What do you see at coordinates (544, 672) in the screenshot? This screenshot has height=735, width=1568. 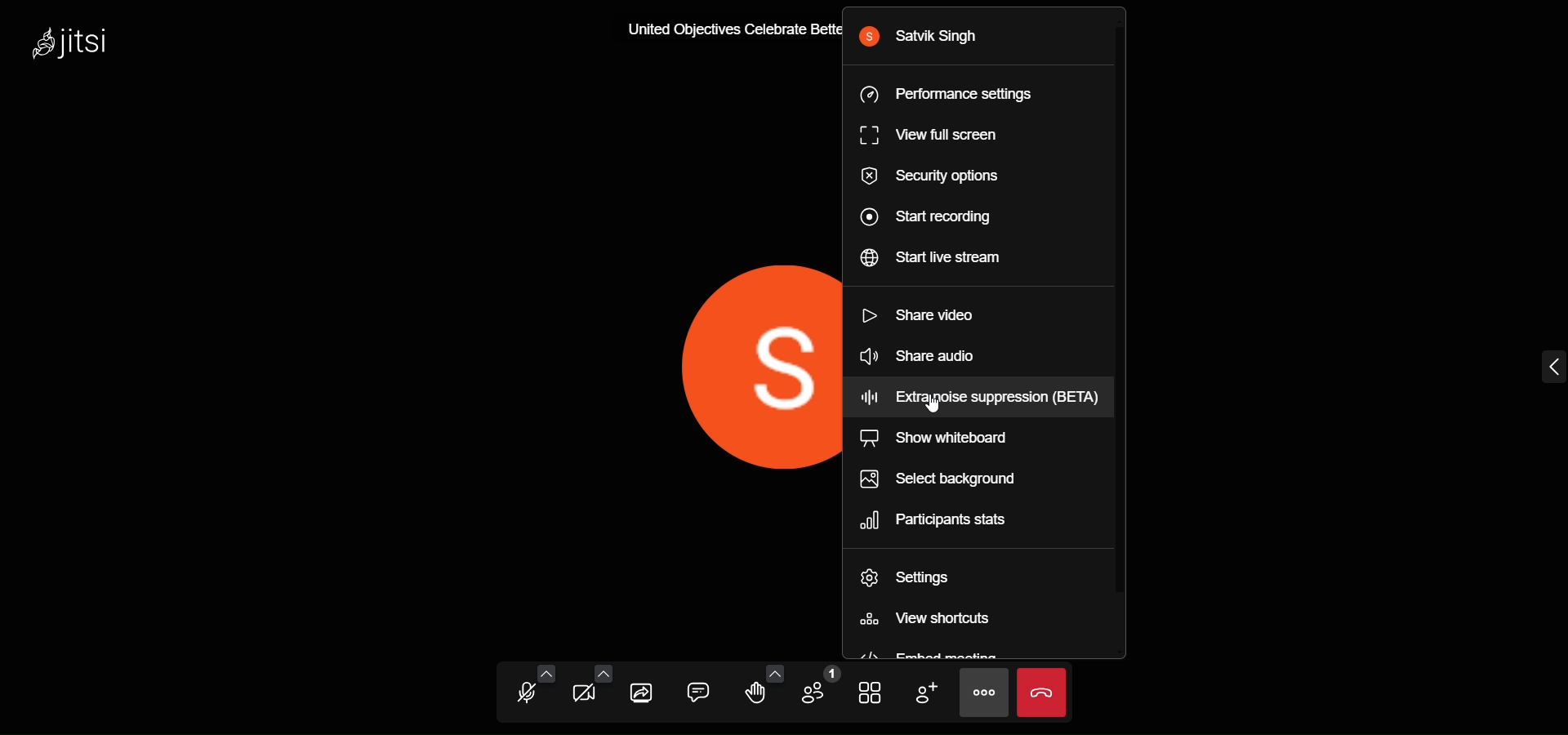 I see `more audio option` at bounding box center [544, 672].